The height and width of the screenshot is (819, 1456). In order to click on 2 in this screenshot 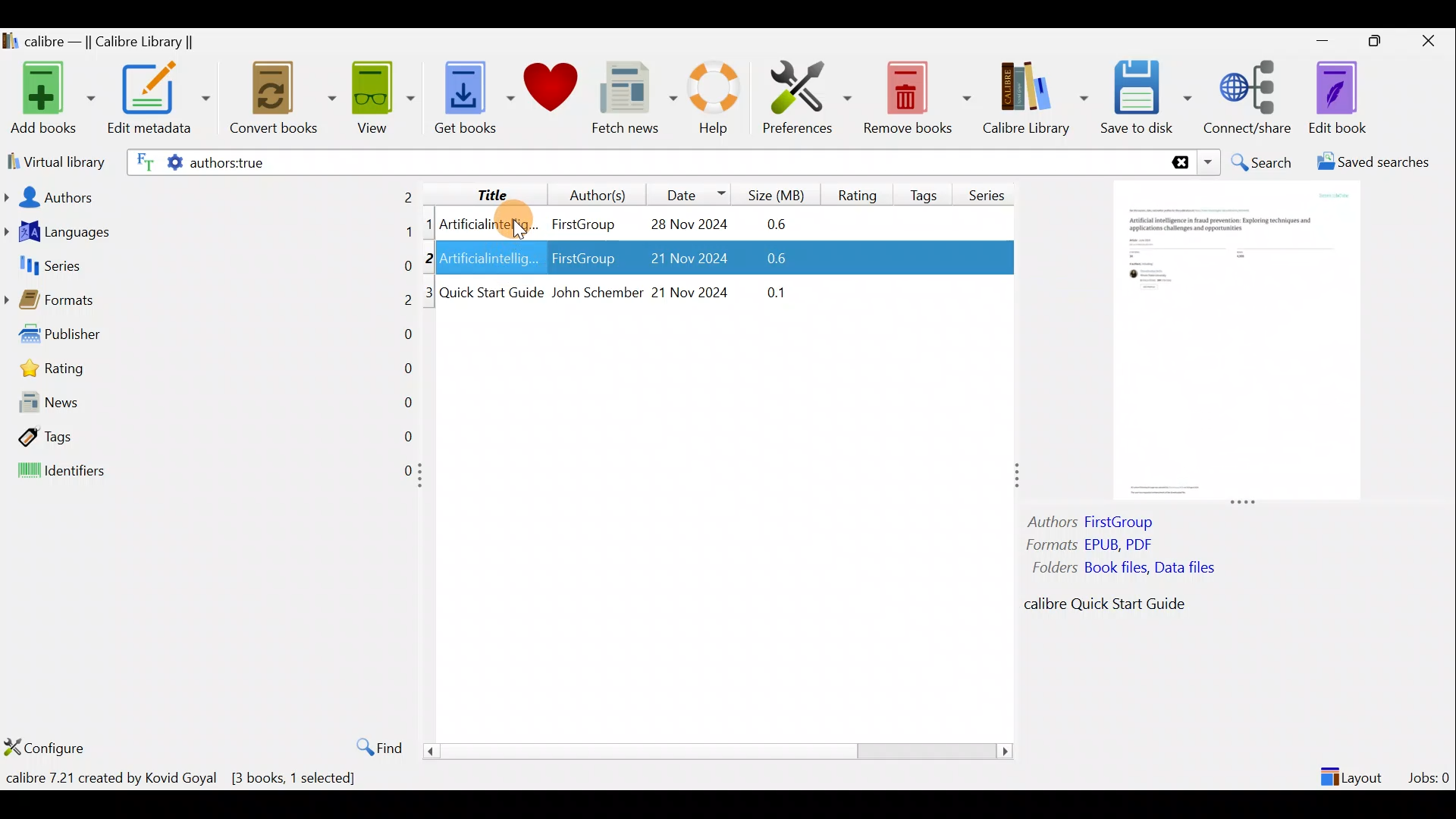, I will do `click(431, 257)`.